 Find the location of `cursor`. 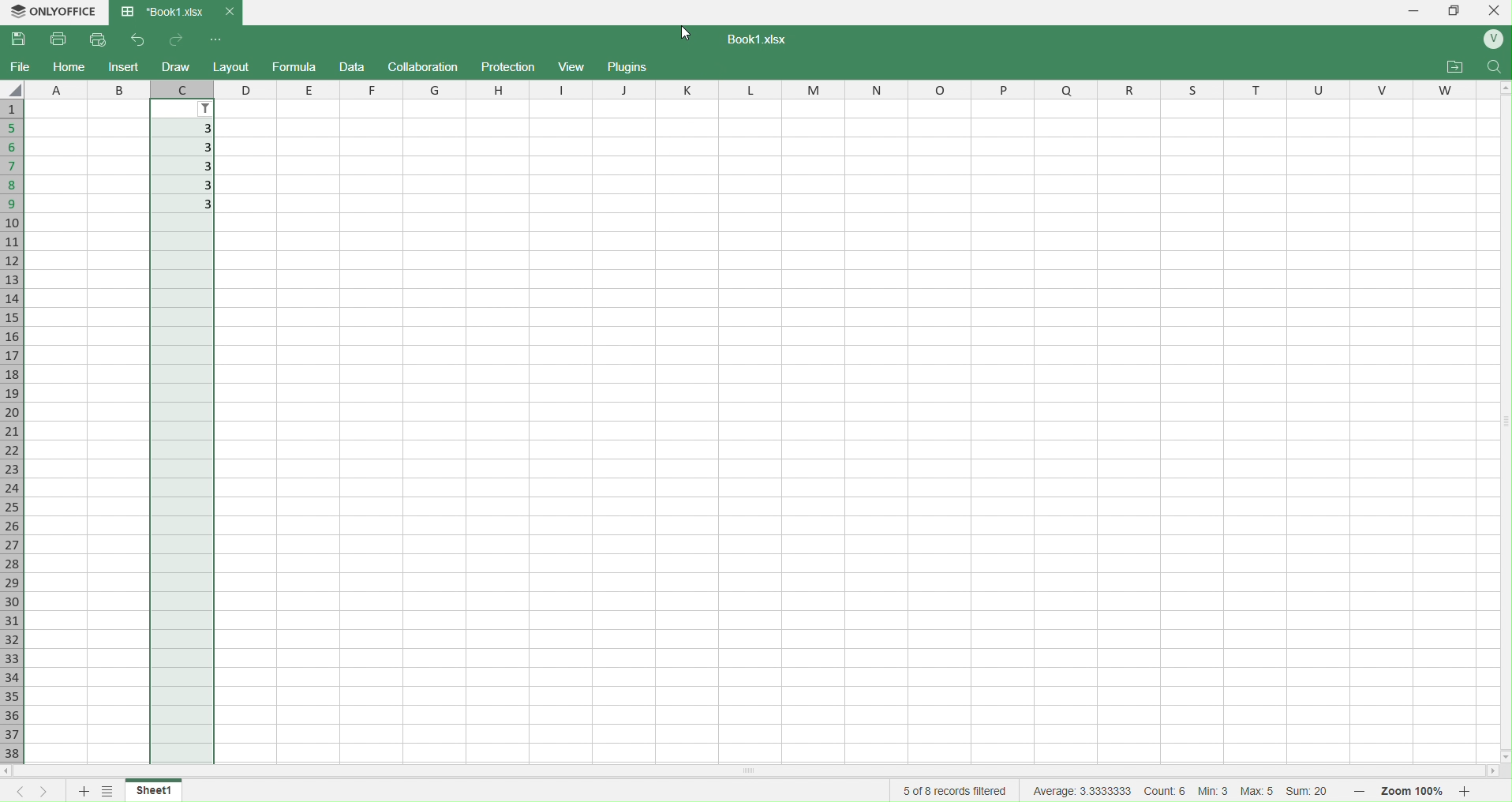

cursor is located at coordinates (683, 35).